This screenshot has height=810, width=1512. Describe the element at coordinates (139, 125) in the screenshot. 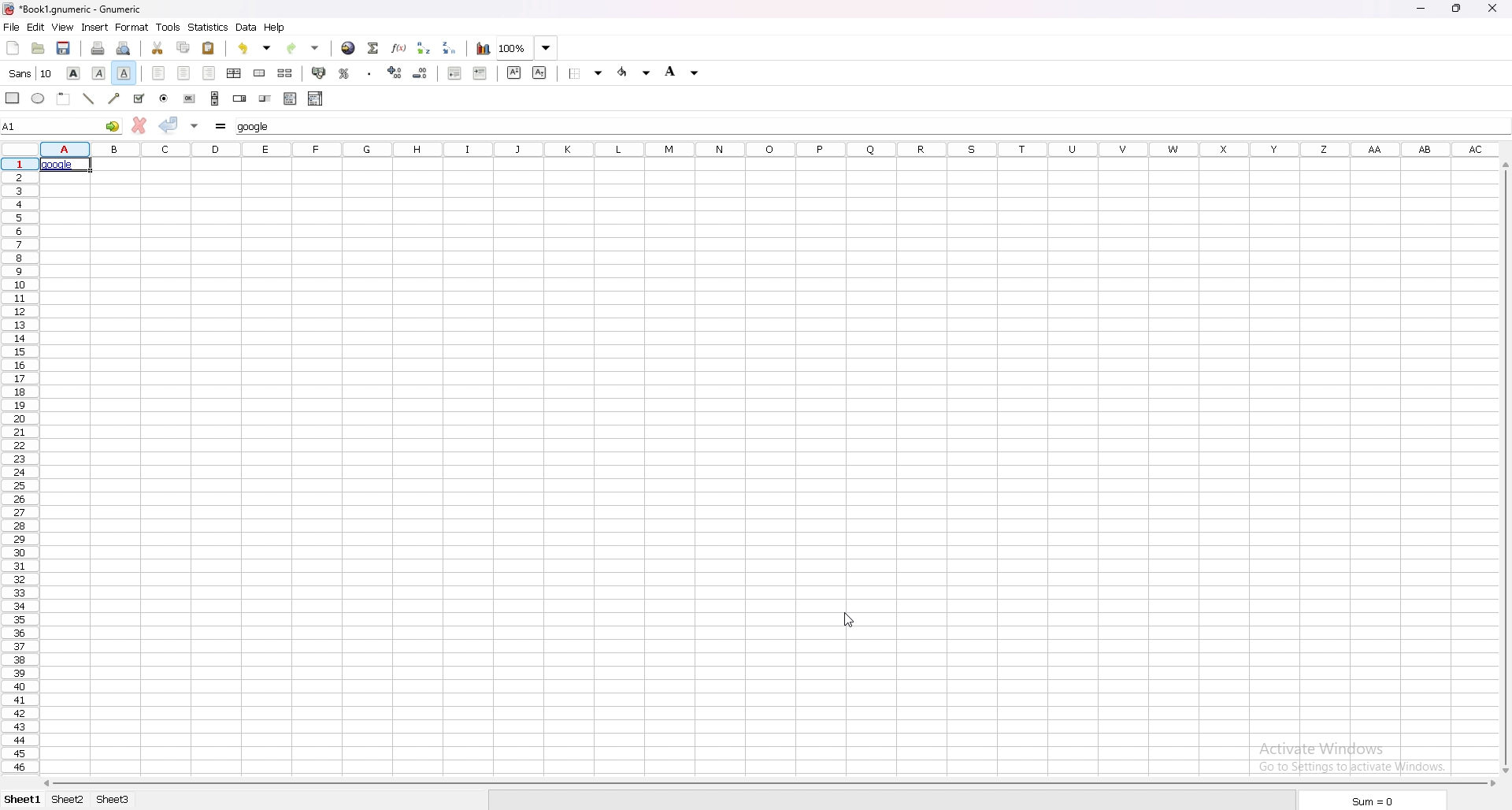

I see `cancel change` at that location.